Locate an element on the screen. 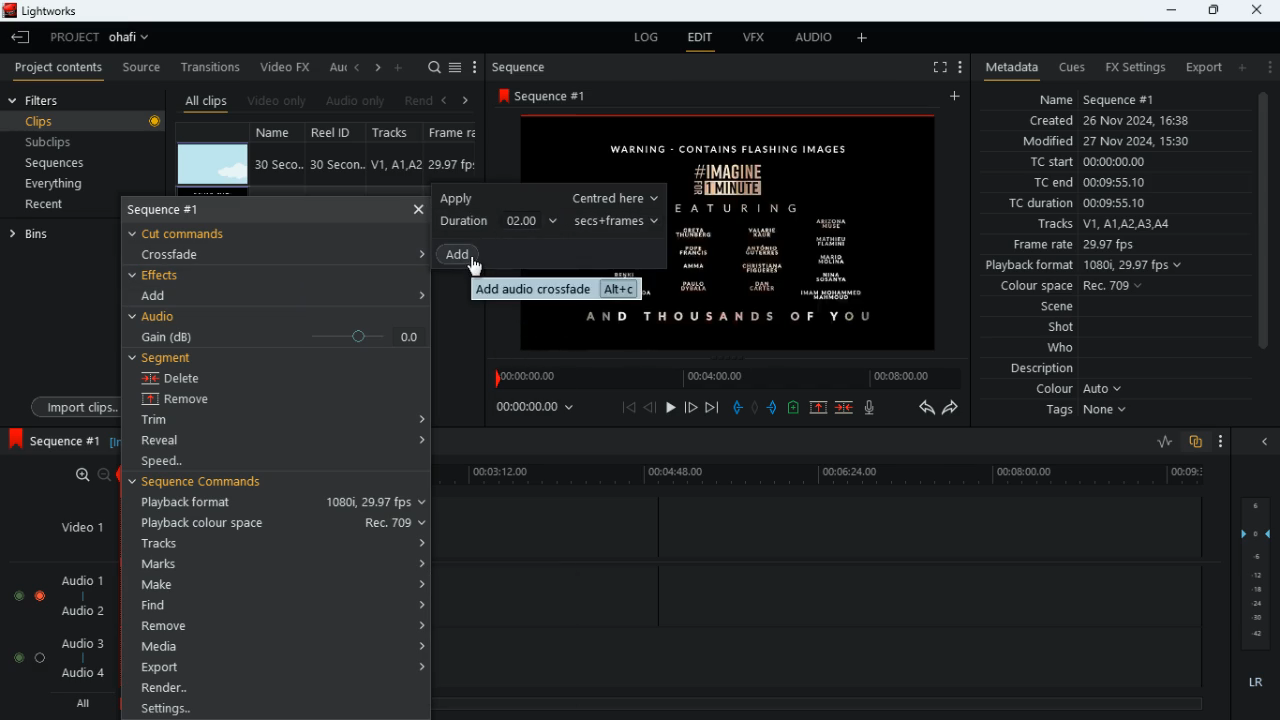  name is located at coordinates (1098, 97).